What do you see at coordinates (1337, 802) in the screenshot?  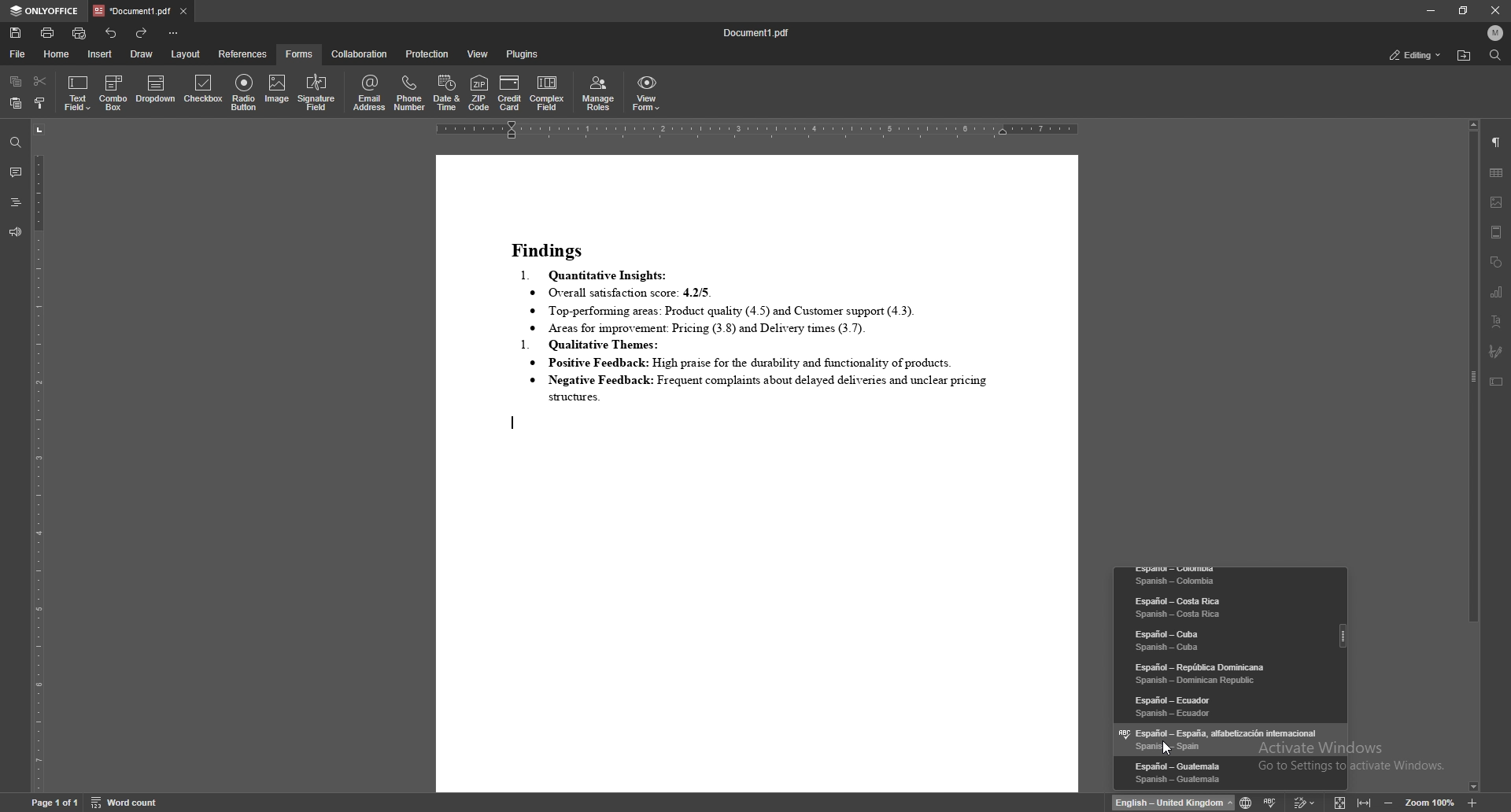 I see `fit to screen` at bounding box center [1337, 802].